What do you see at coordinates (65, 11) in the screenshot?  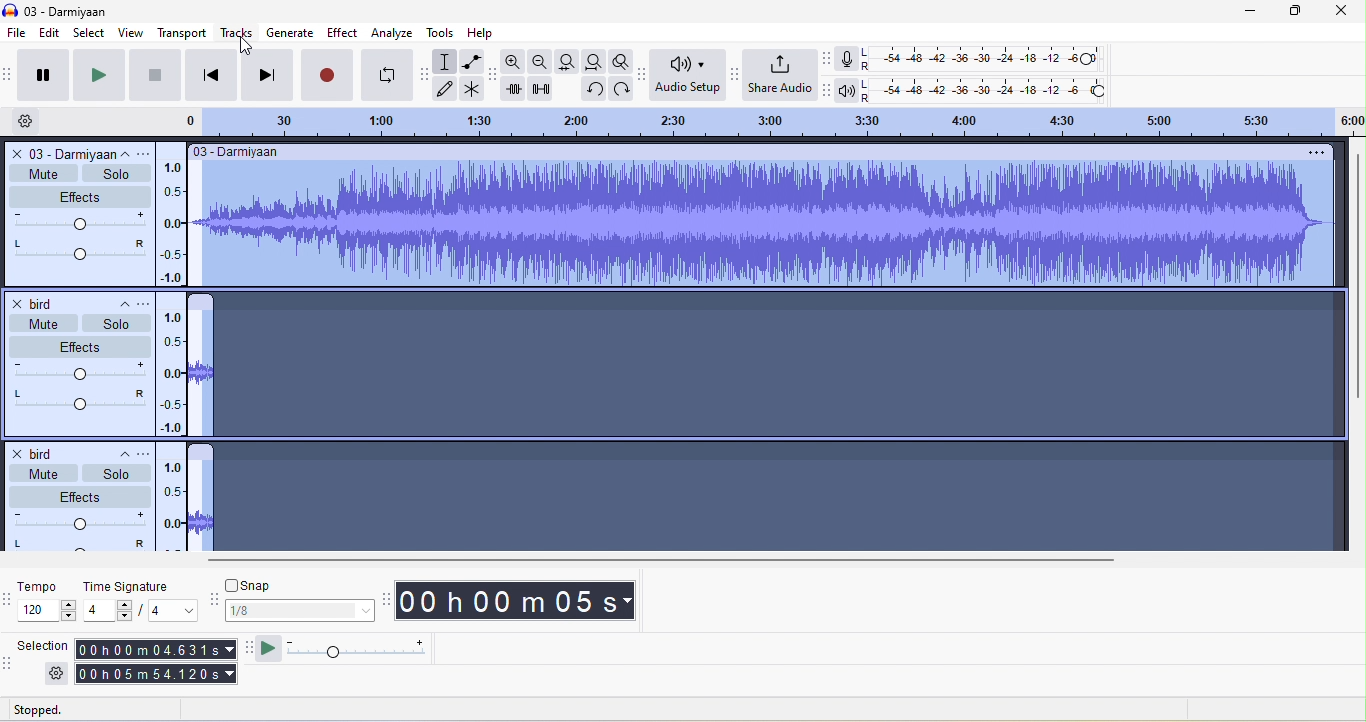 I see `title` at bounding box center [65, 11].